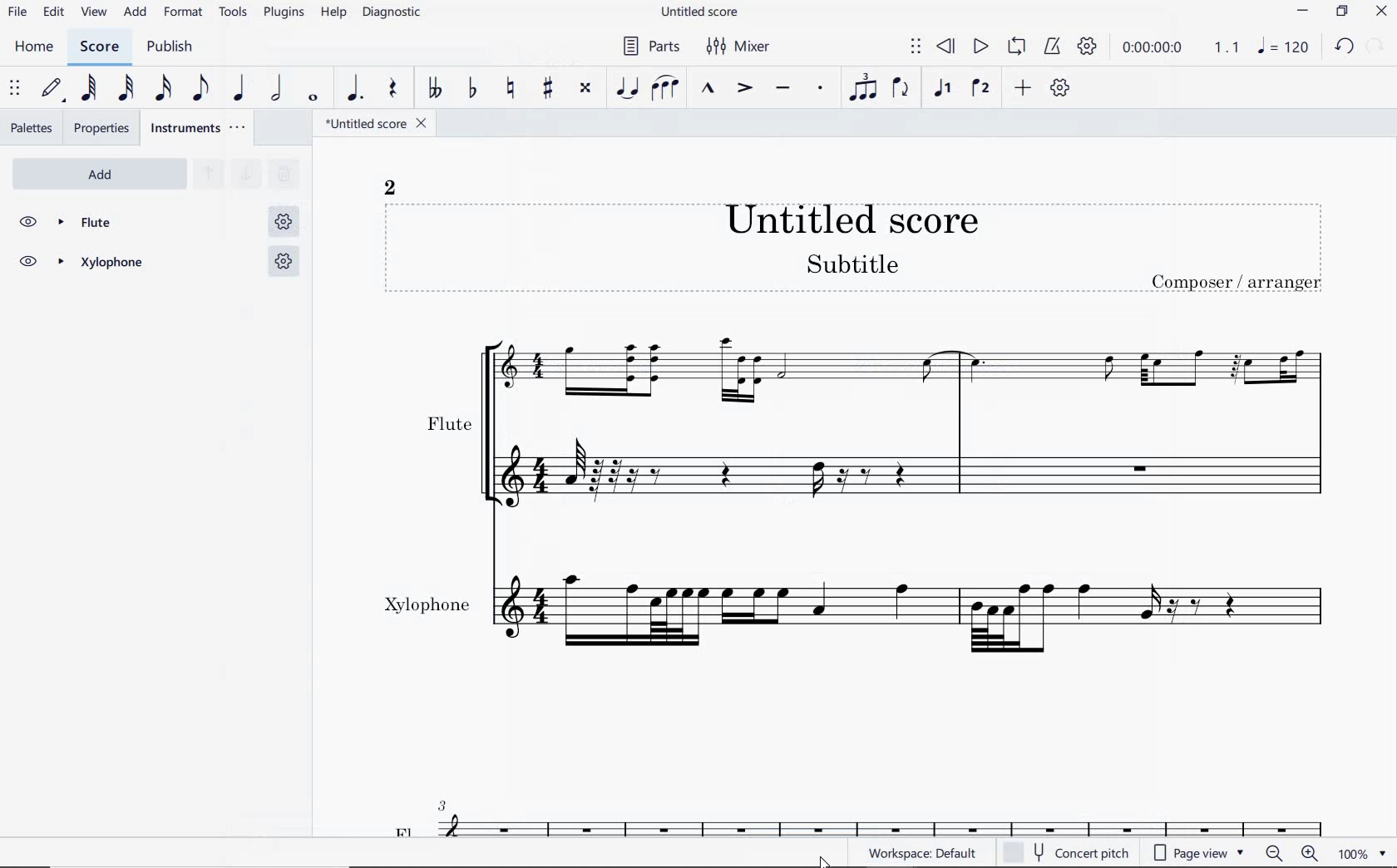  What do you see at coordinates (741, 47) in the screenshot?
I see `MIXER` at bounding box center [741, 47].